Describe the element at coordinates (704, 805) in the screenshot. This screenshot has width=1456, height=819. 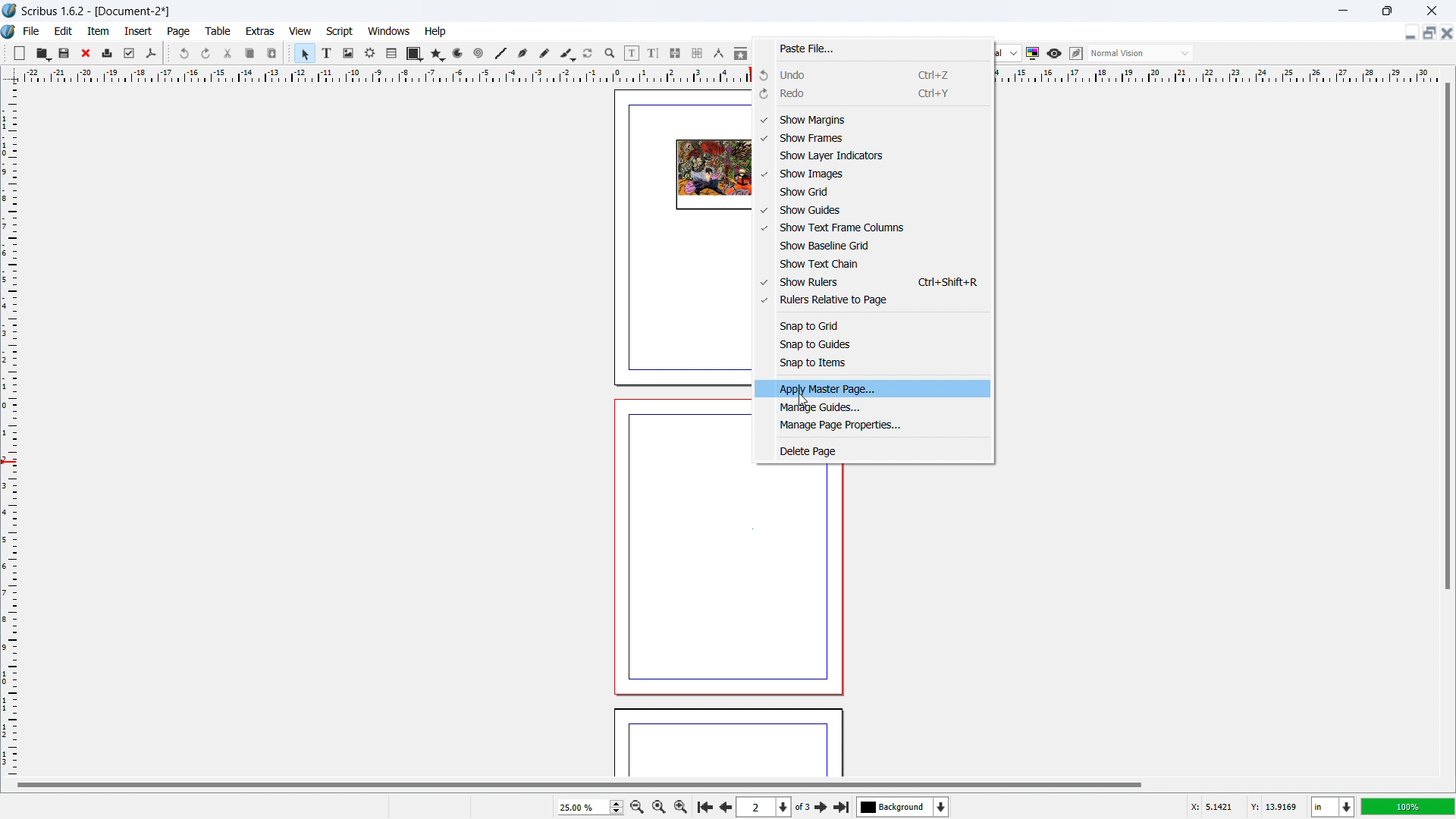
I see `first page` at that location.